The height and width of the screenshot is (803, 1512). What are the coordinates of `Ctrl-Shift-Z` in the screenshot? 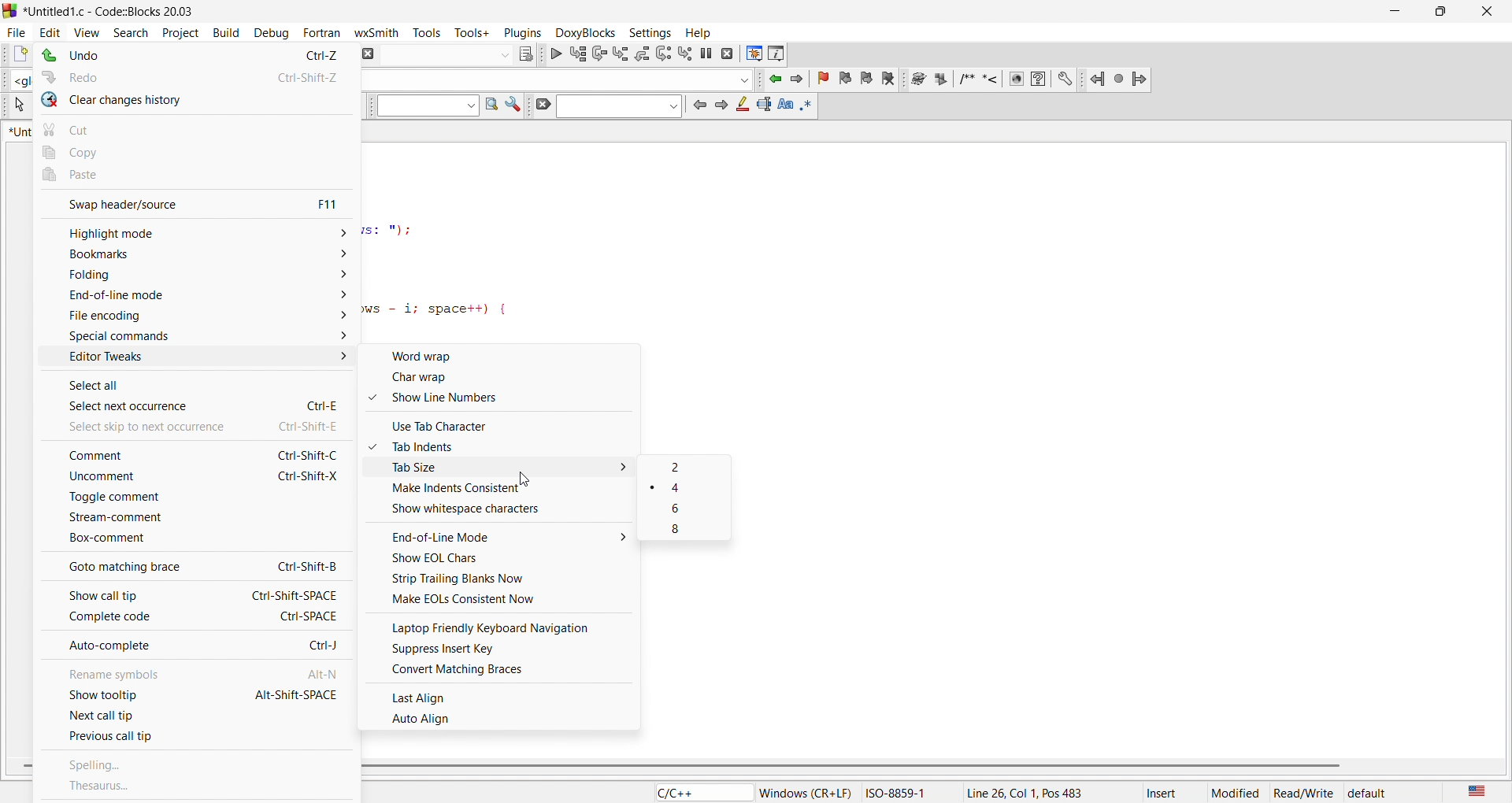 It's located at (304, 77).